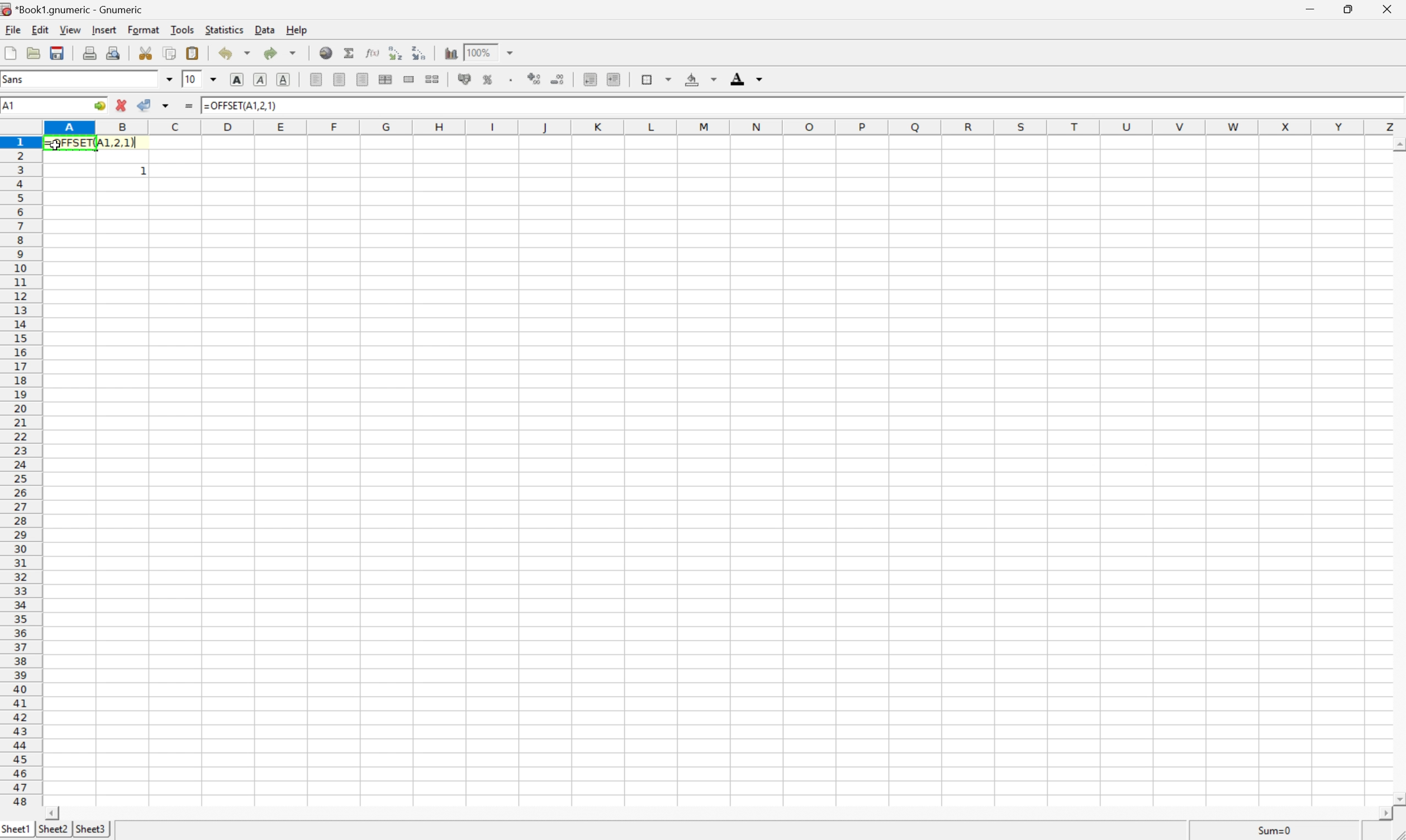 This screenshot has height=840, width=1406. Describe the element at coordinates (262, 80) in the screenshot. I see `italic` at that location.